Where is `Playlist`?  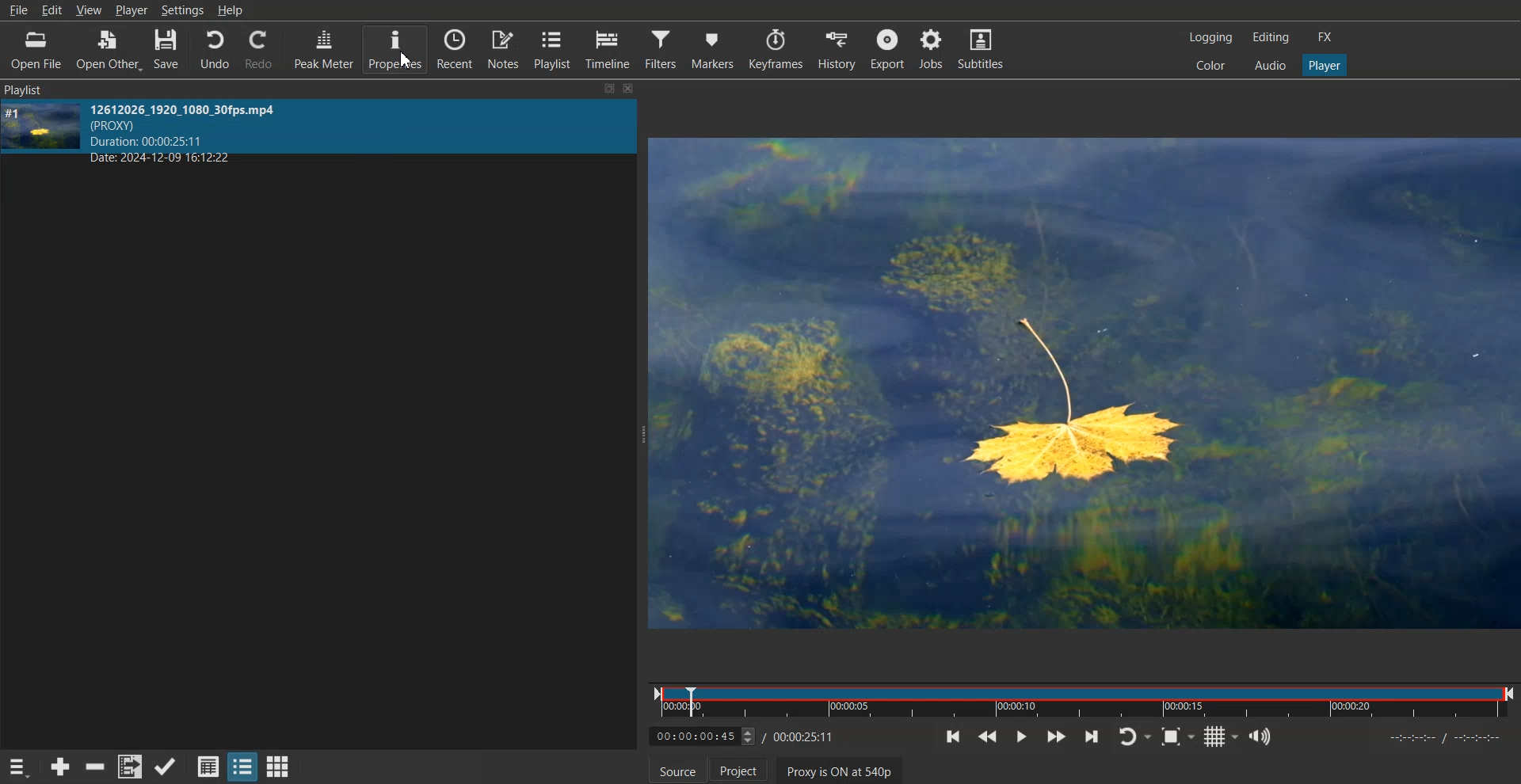 Playlist is located at coordinates (554, 49).